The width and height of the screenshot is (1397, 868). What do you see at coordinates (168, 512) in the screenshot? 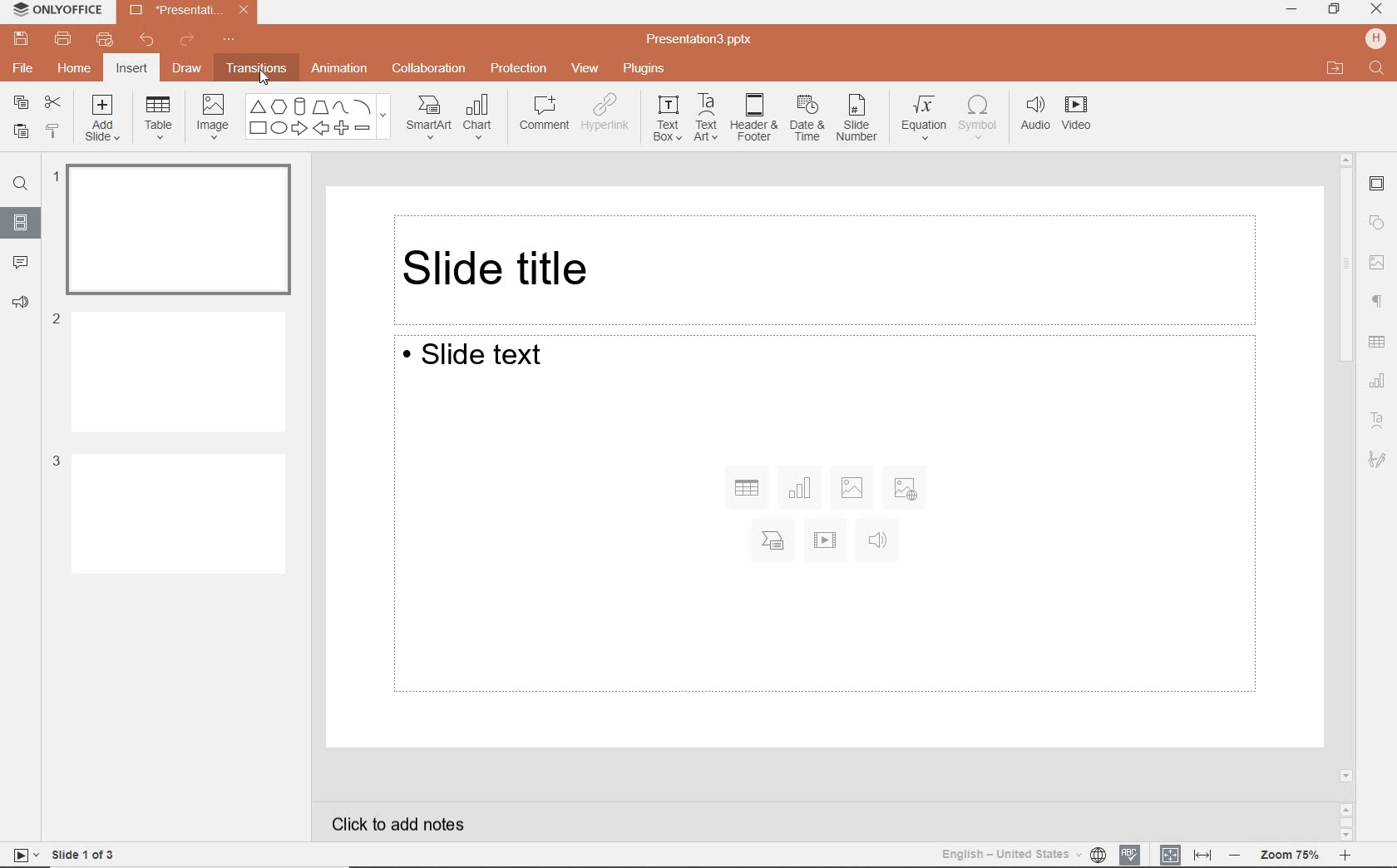
I see `Slide 3` at bounding box center [168, 512].